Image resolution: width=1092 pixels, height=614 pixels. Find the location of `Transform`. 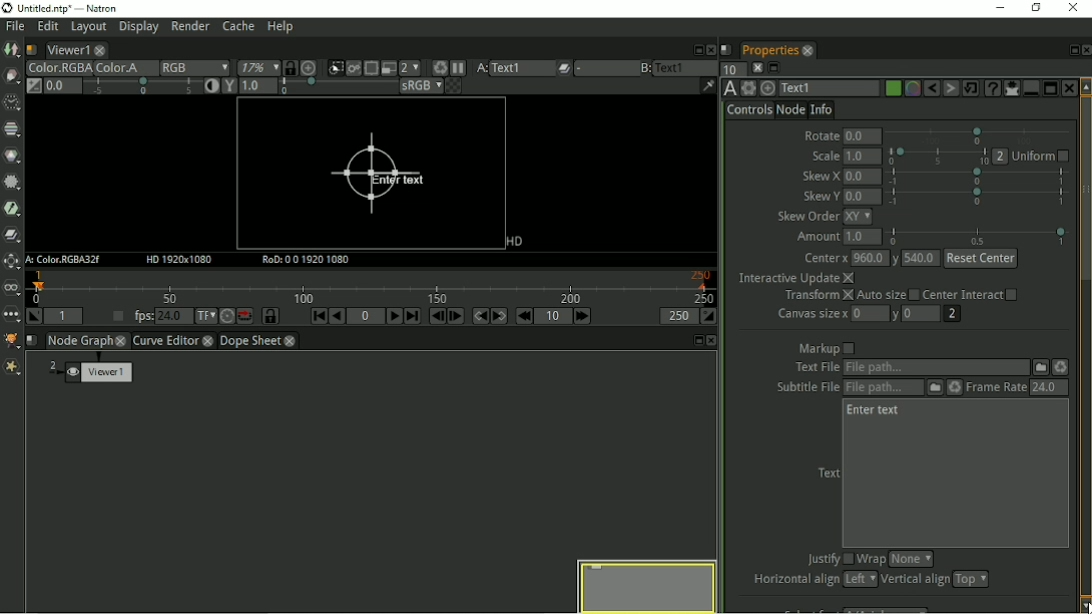

Transform is located at coordinates (814, 296).